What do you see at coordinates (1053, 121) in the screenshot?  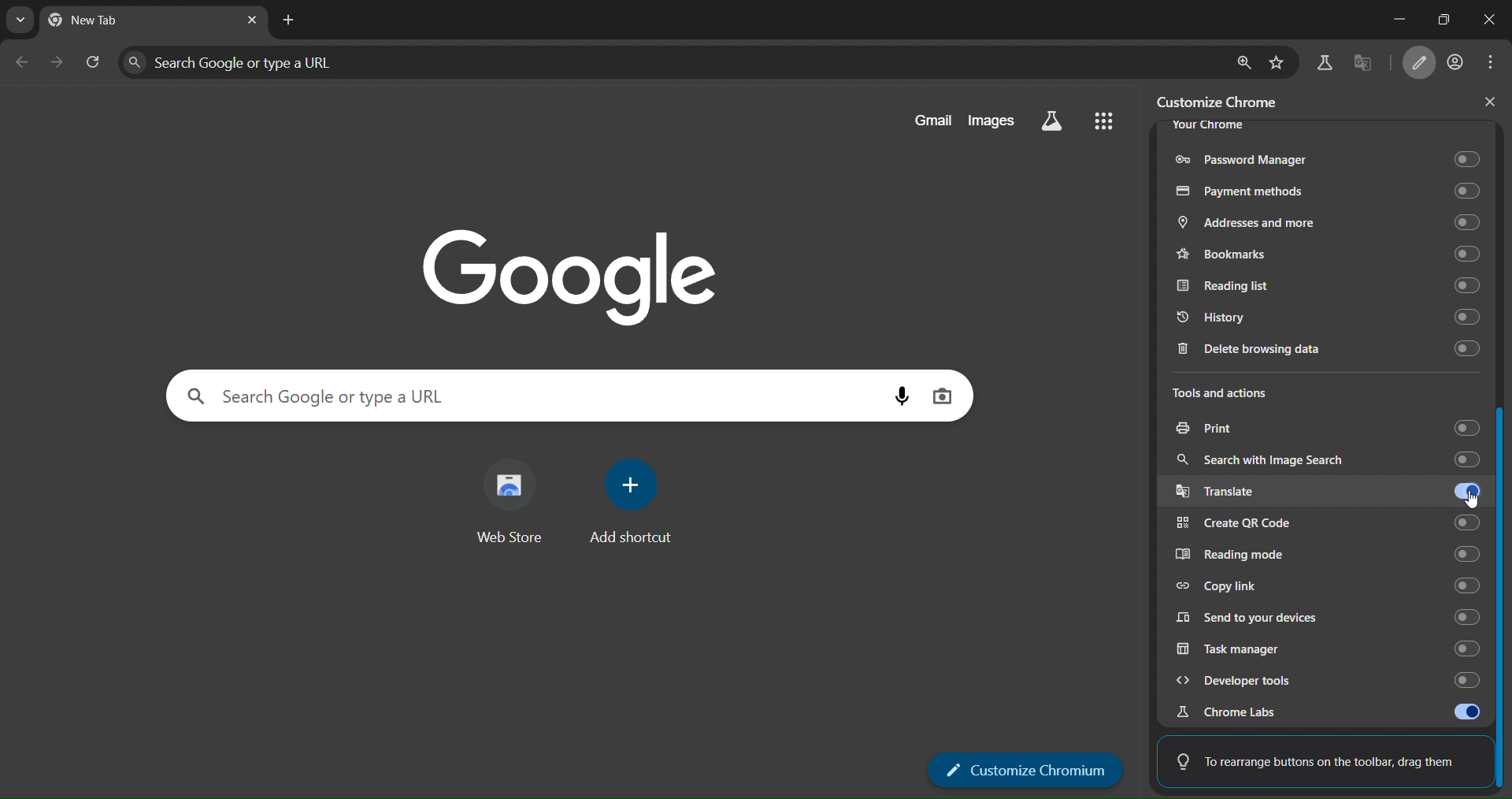 I see `search labs` at bounding box center [1053, 121].